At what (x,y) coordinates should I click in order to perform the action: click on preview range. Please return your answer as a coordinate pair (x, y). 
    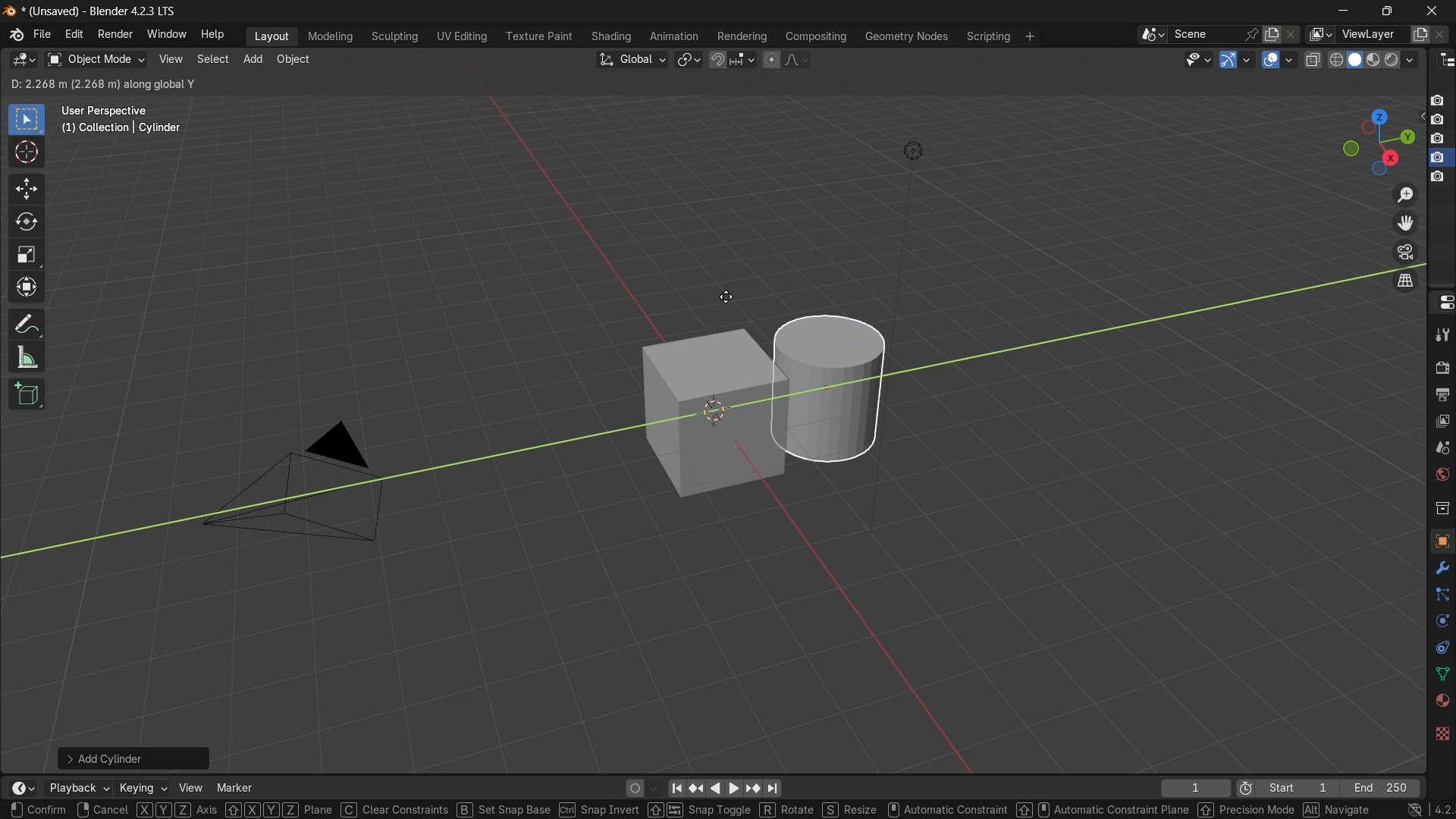
    Looking at the image, I should click on (1246, 787).